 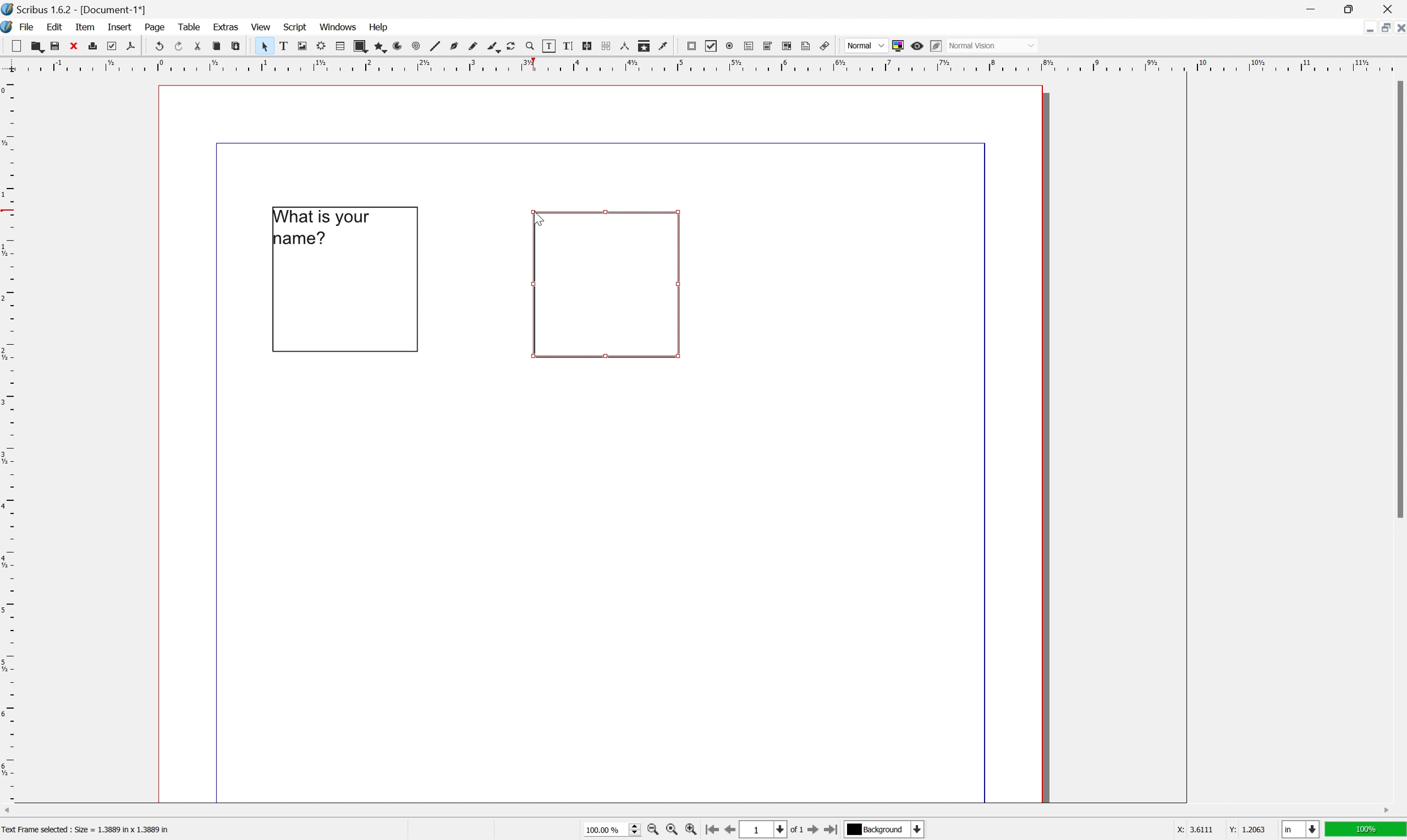 What do you see at coordinates (263, 46) in the screenshot?
I see `cursor` at bounding box center [263, 46].